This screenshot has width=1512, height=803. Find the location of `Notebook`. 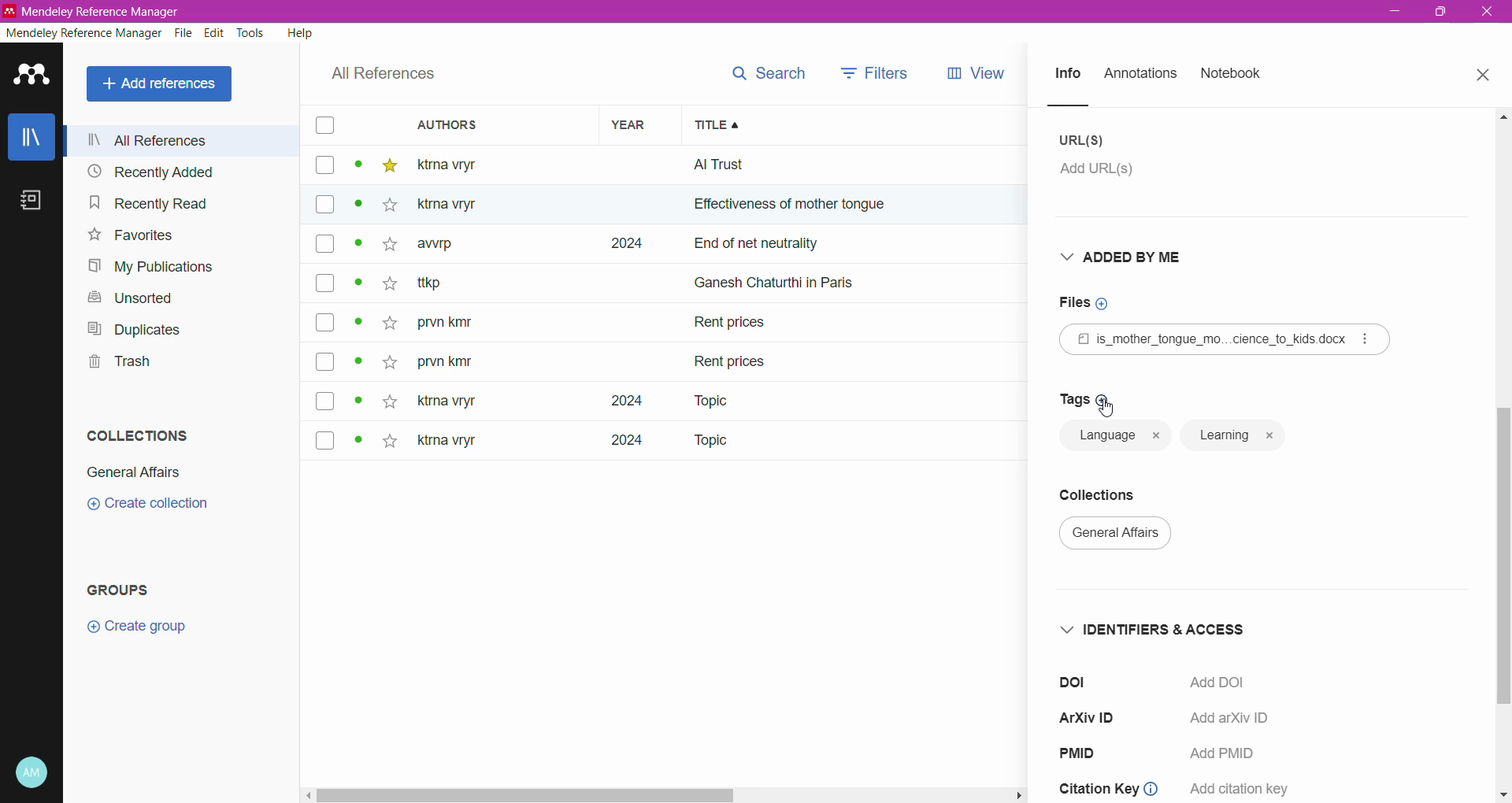

Notebook is located at coordinates (1232, 74).